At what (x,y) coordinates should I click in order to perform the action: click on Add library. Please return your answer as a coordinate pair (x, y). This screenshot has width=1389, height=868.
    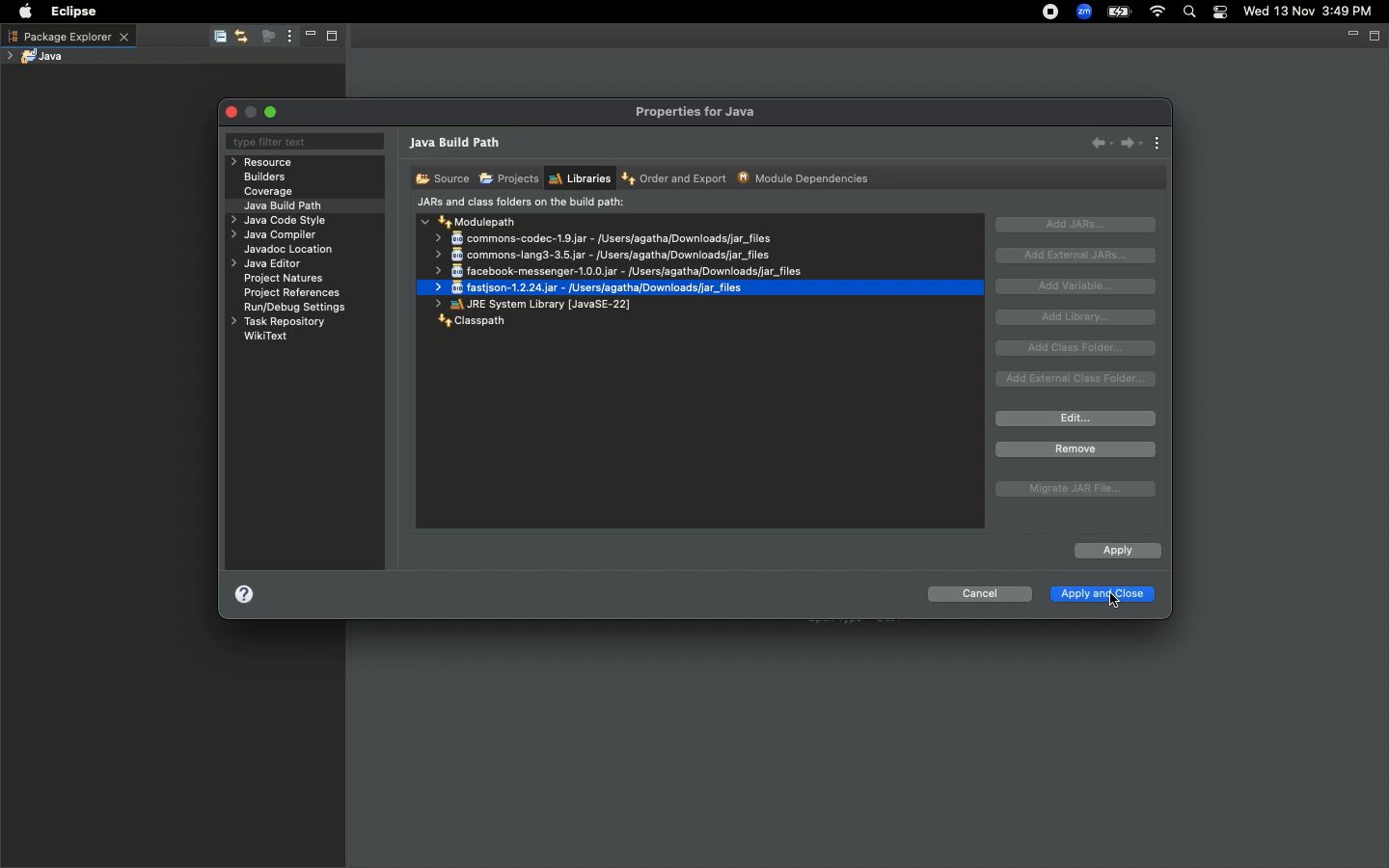
    Looking at the image, I should click on (1078, 317).